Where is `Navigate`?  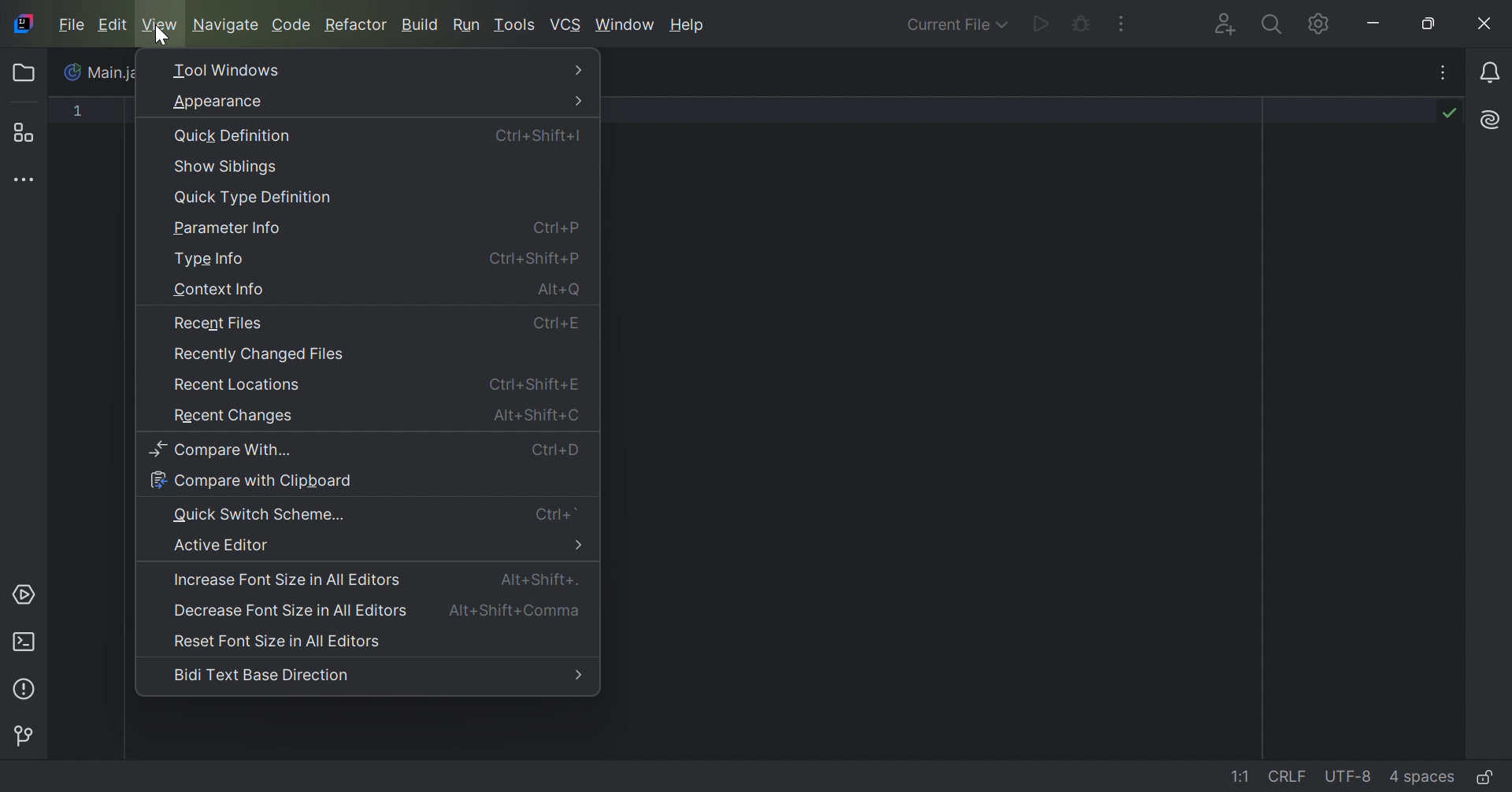
Navigate is located at coordinates (226, 24).